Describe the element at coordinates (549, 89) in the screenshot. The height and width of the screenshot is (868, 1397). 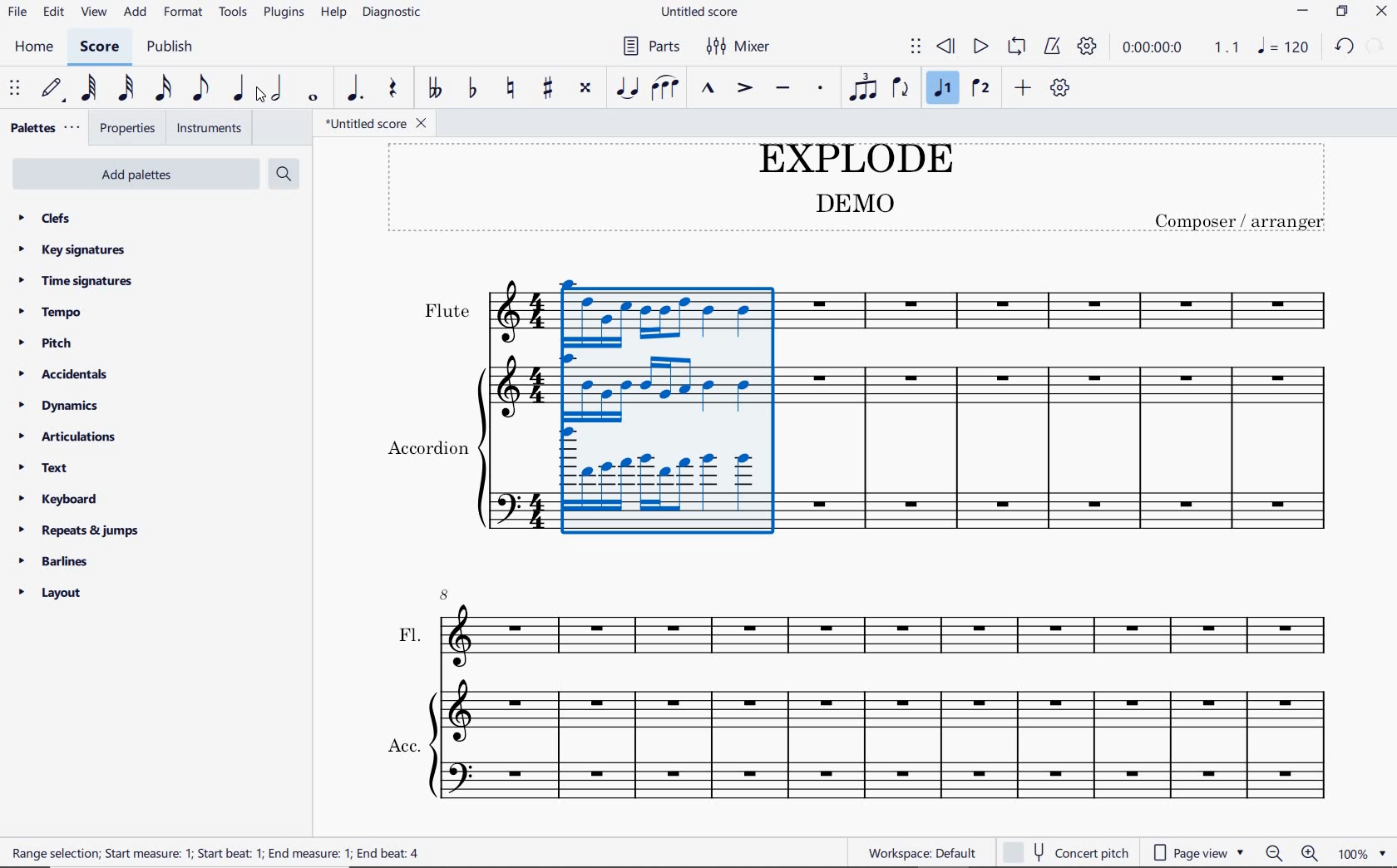
I see `toggle sharp` at that location.